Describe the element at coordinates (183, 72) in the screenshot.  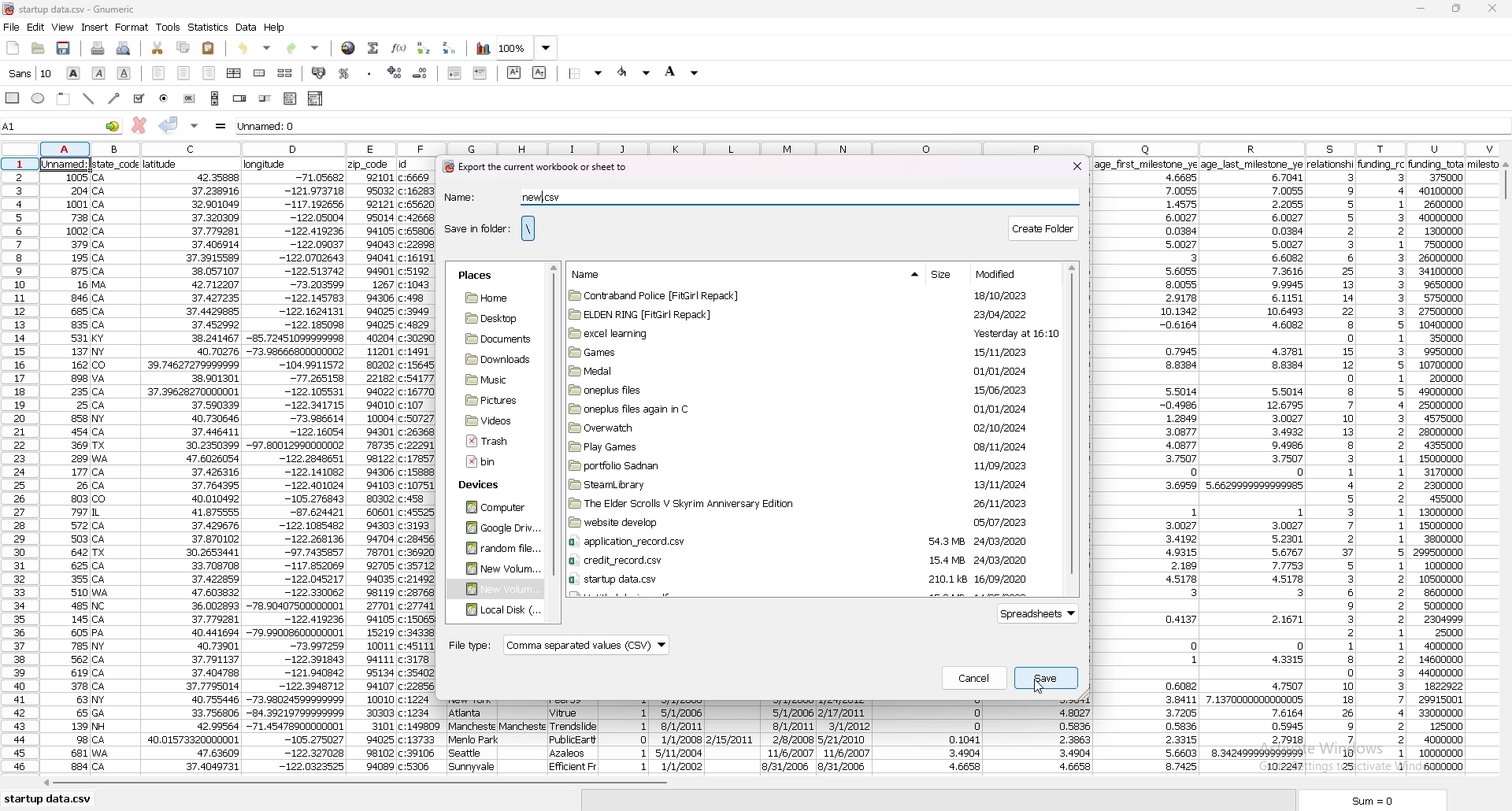
I see `centre` at that location.